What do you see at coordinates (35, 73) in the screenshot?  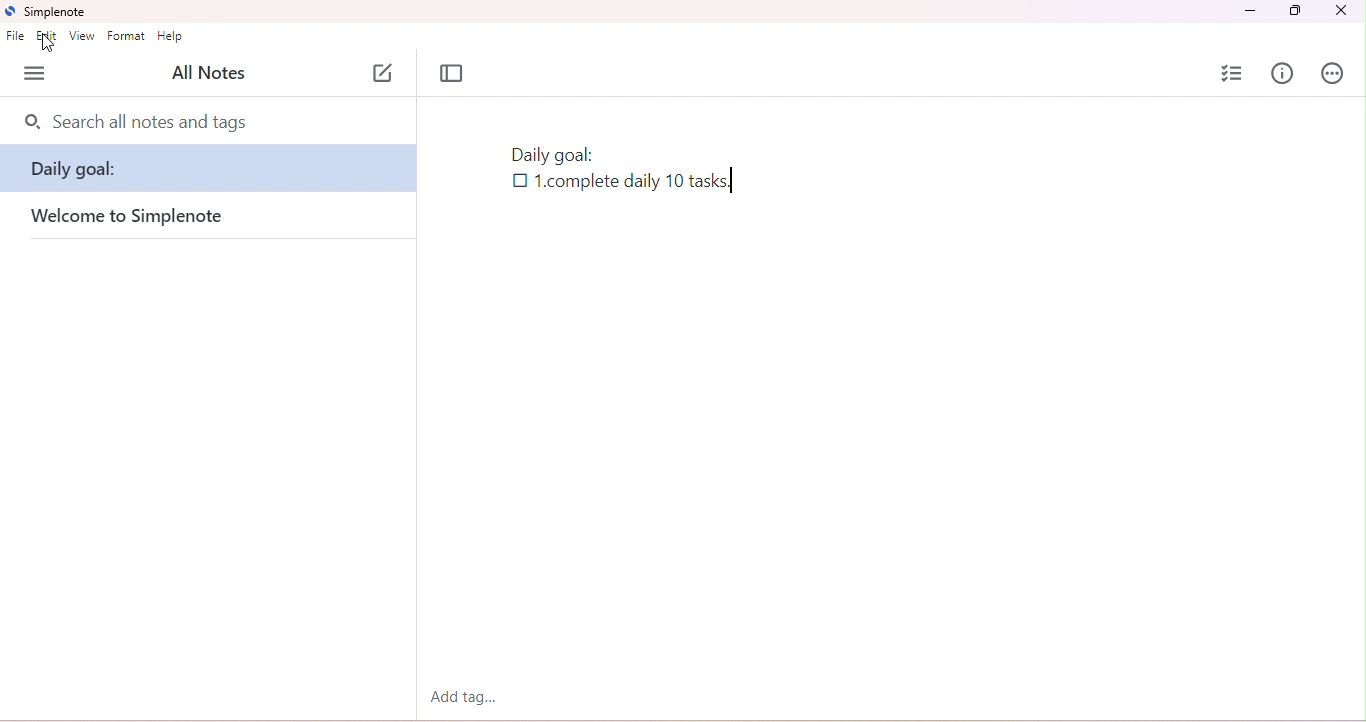 I see `menu` at bounding box center [35, 73].